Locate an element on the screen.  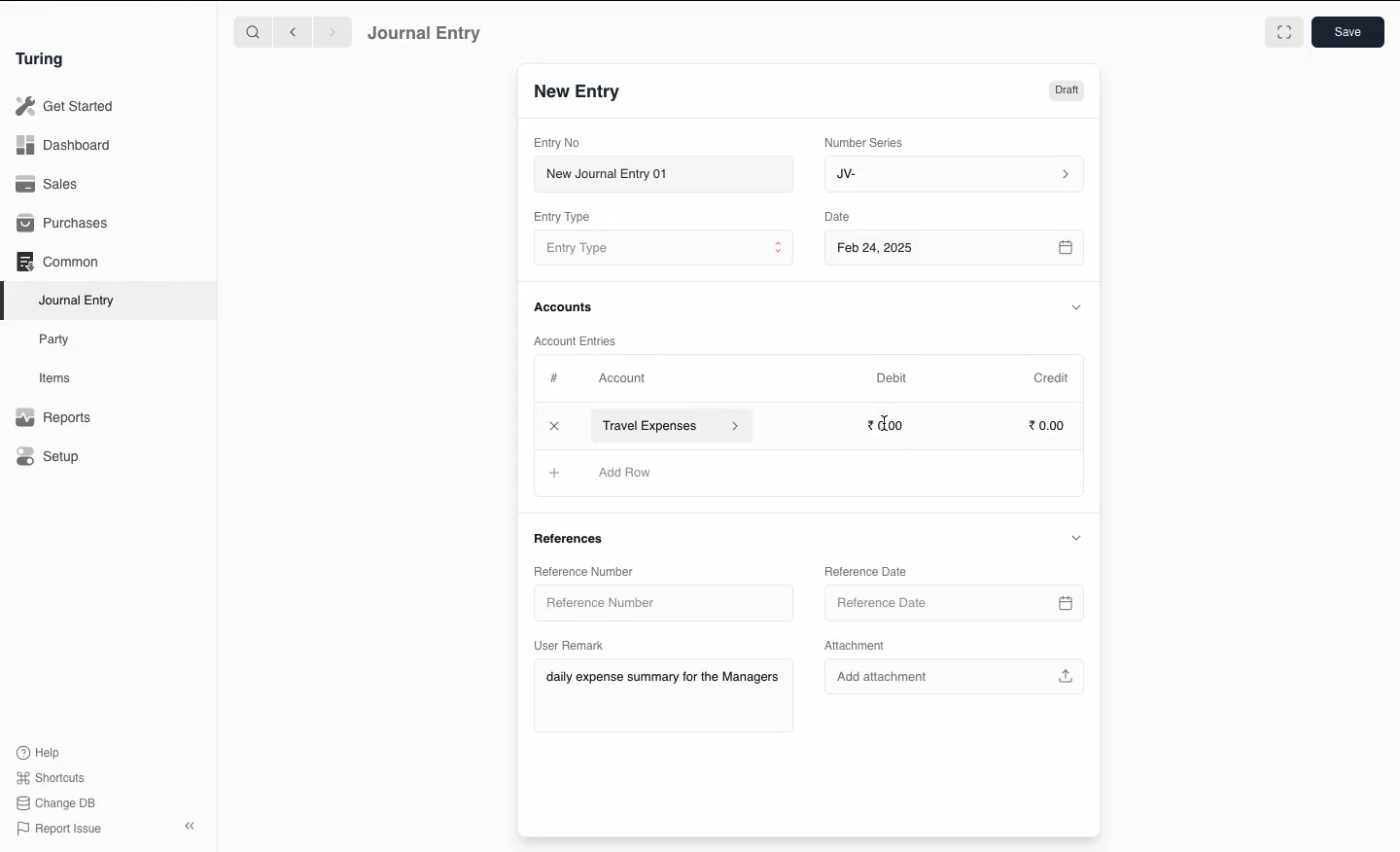
Setup is located at coordinates (49, 455).